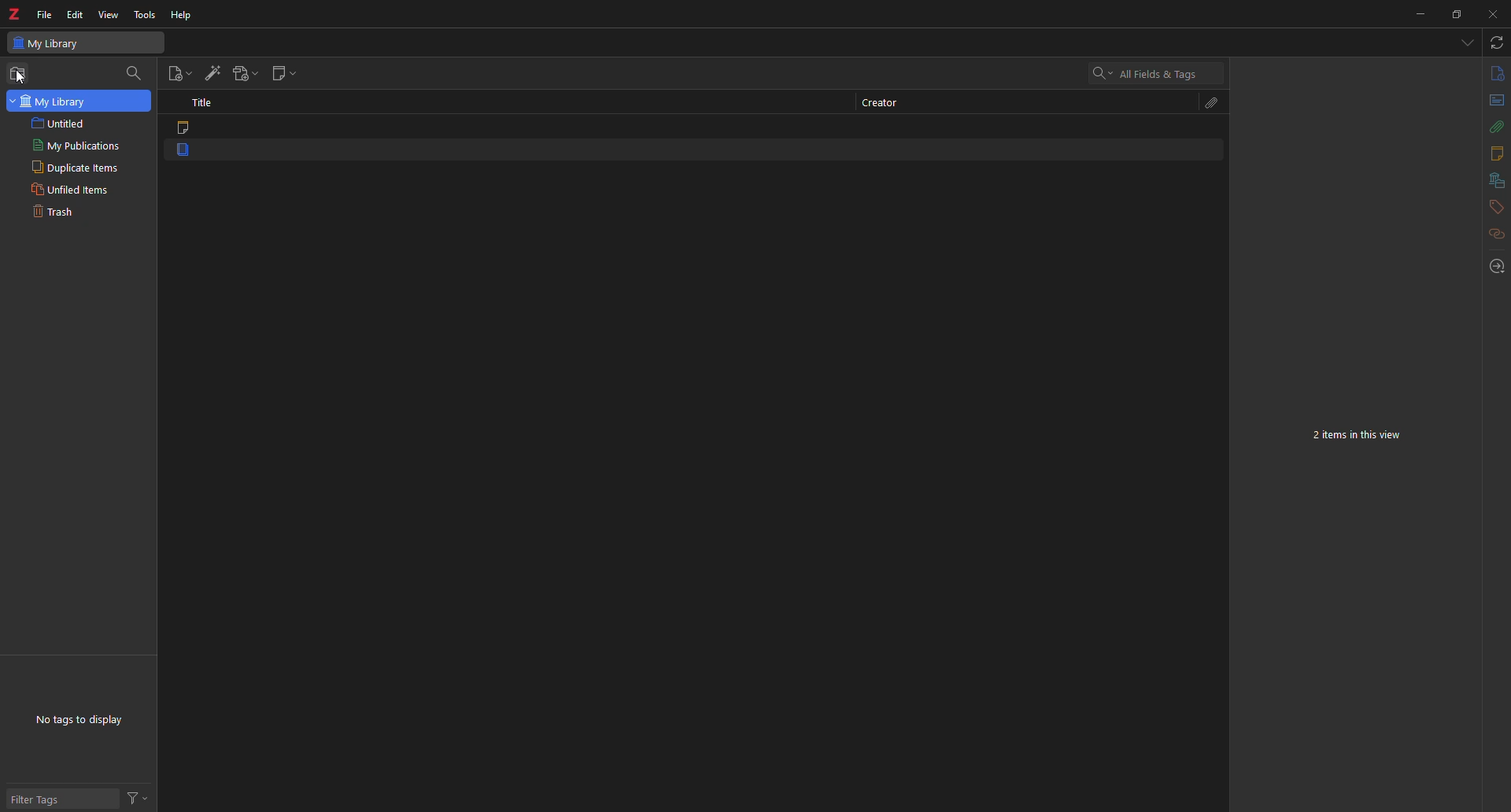 This screenshot has height=812, width=1511. What do you see at coordinates (44, 801) in the screenshot?
I see `filter tags` at bounding box center [44, 801].